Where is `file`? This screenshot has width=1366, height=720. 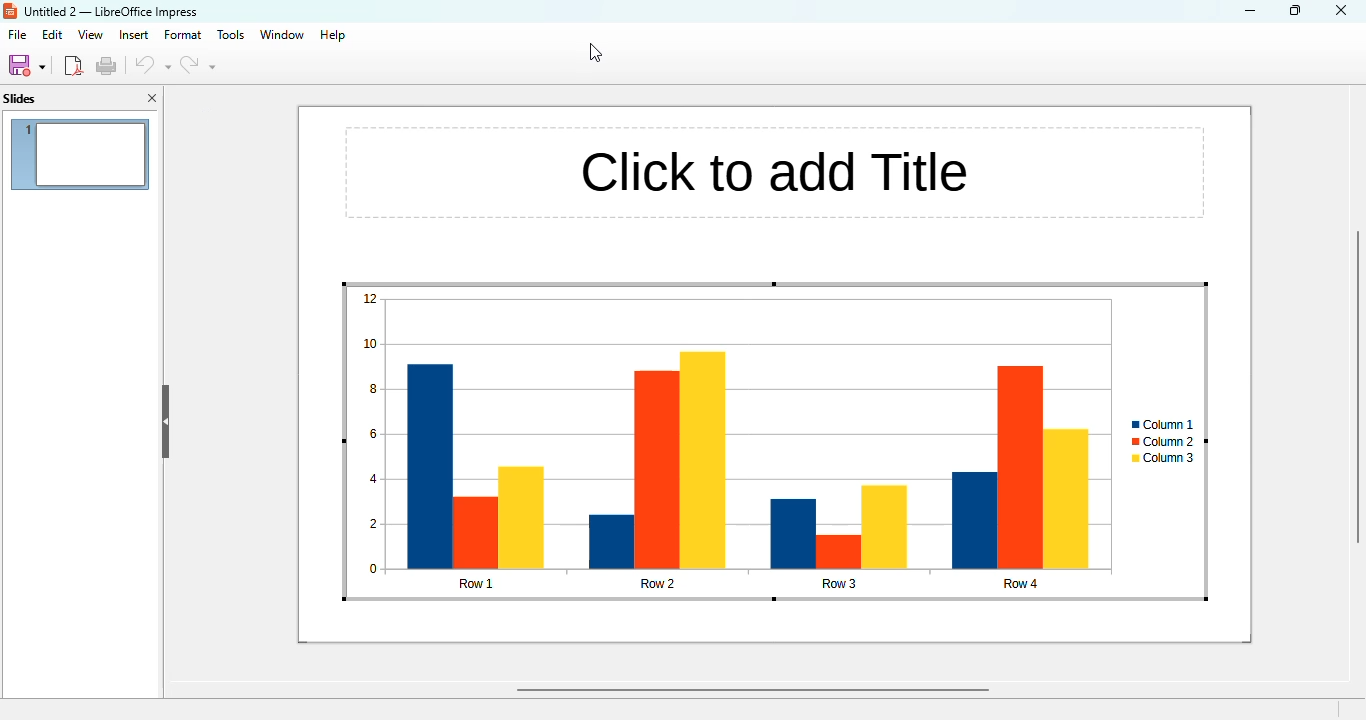 file is located at coordinates (15, 35).